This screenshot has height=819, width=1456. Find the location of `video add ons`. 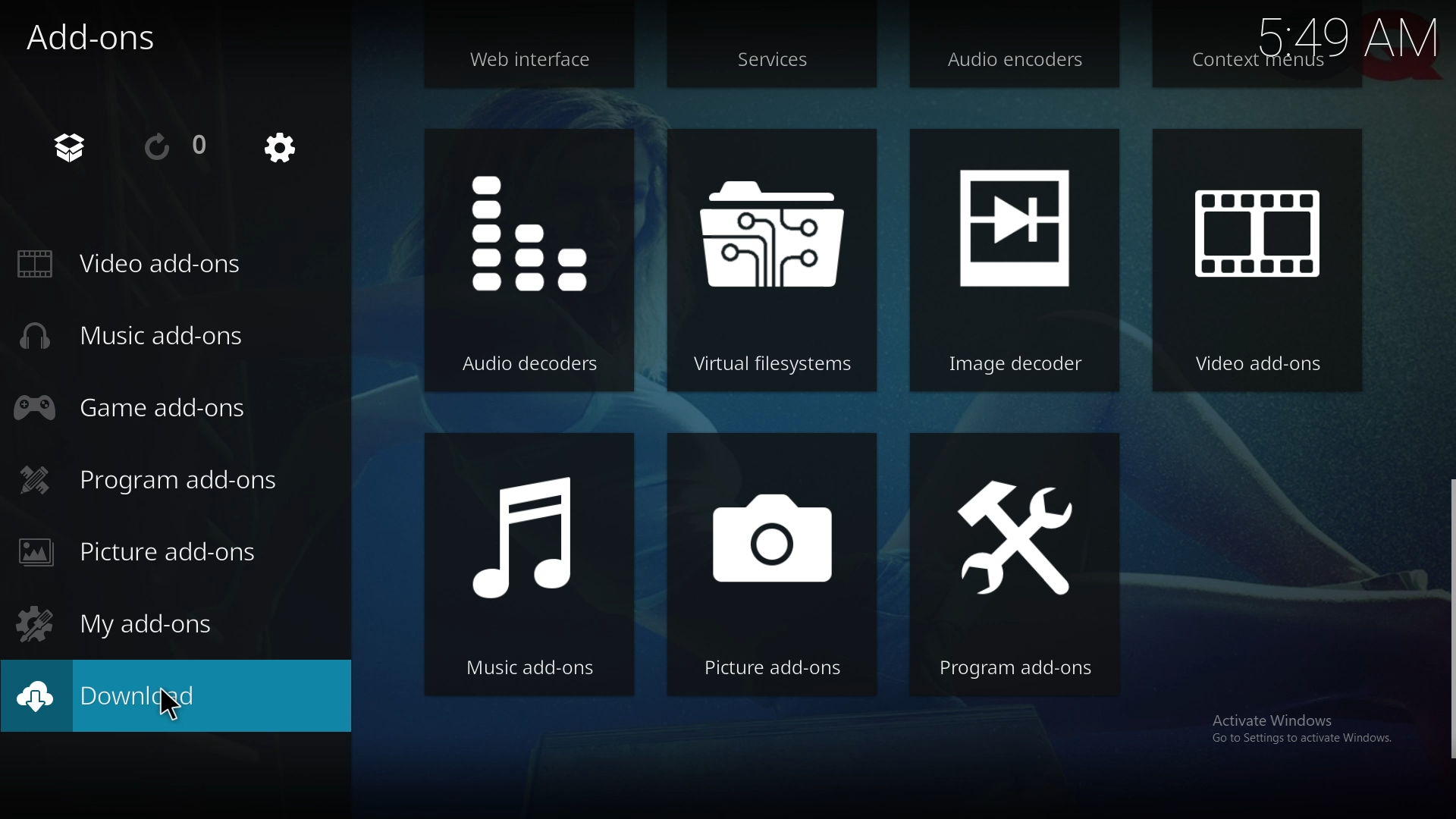

video add ons is located at coordinates (147, 264).